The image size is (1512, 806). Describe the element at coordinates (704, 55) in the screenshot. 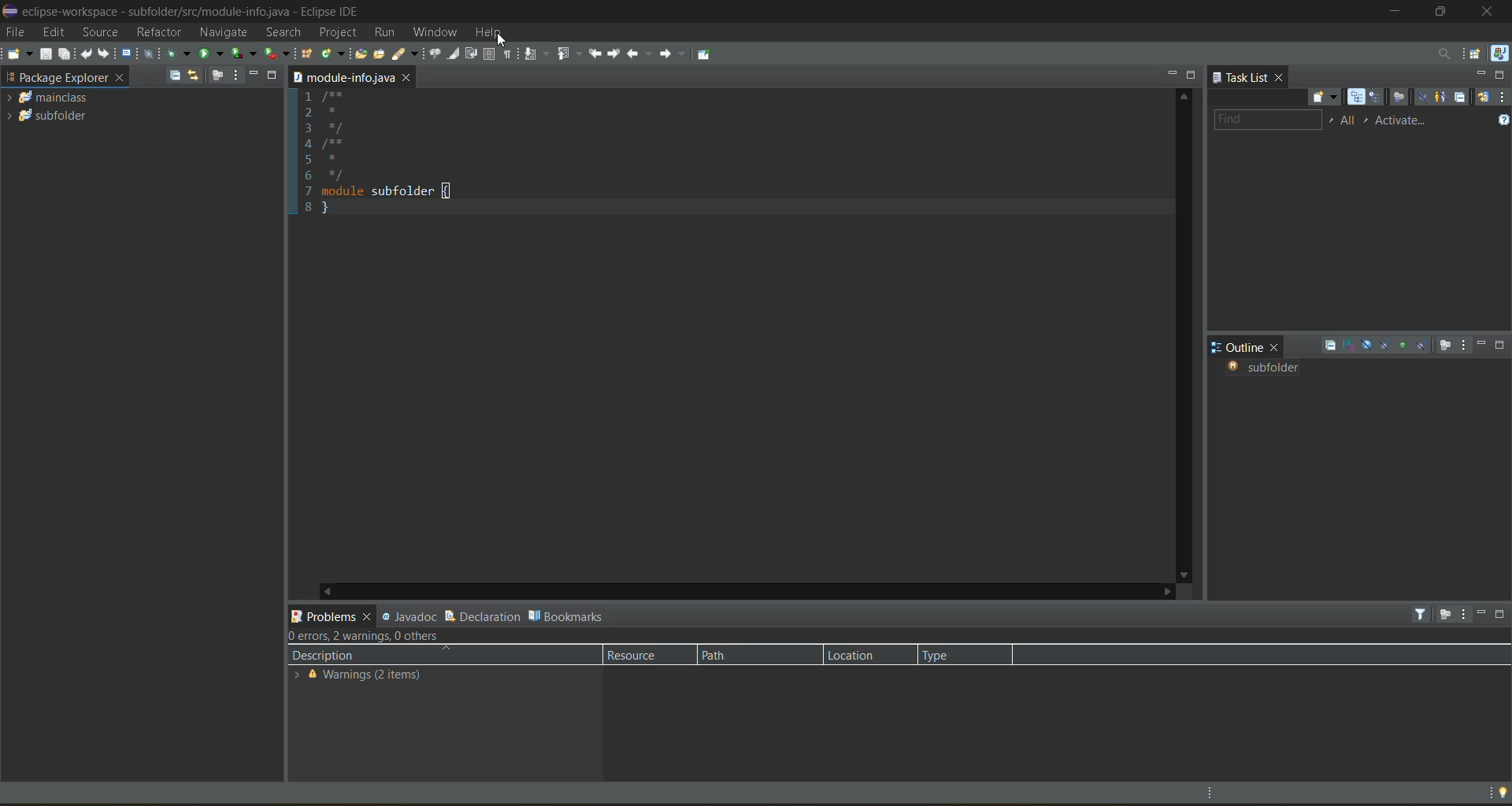

I see `pin editor` at that location.